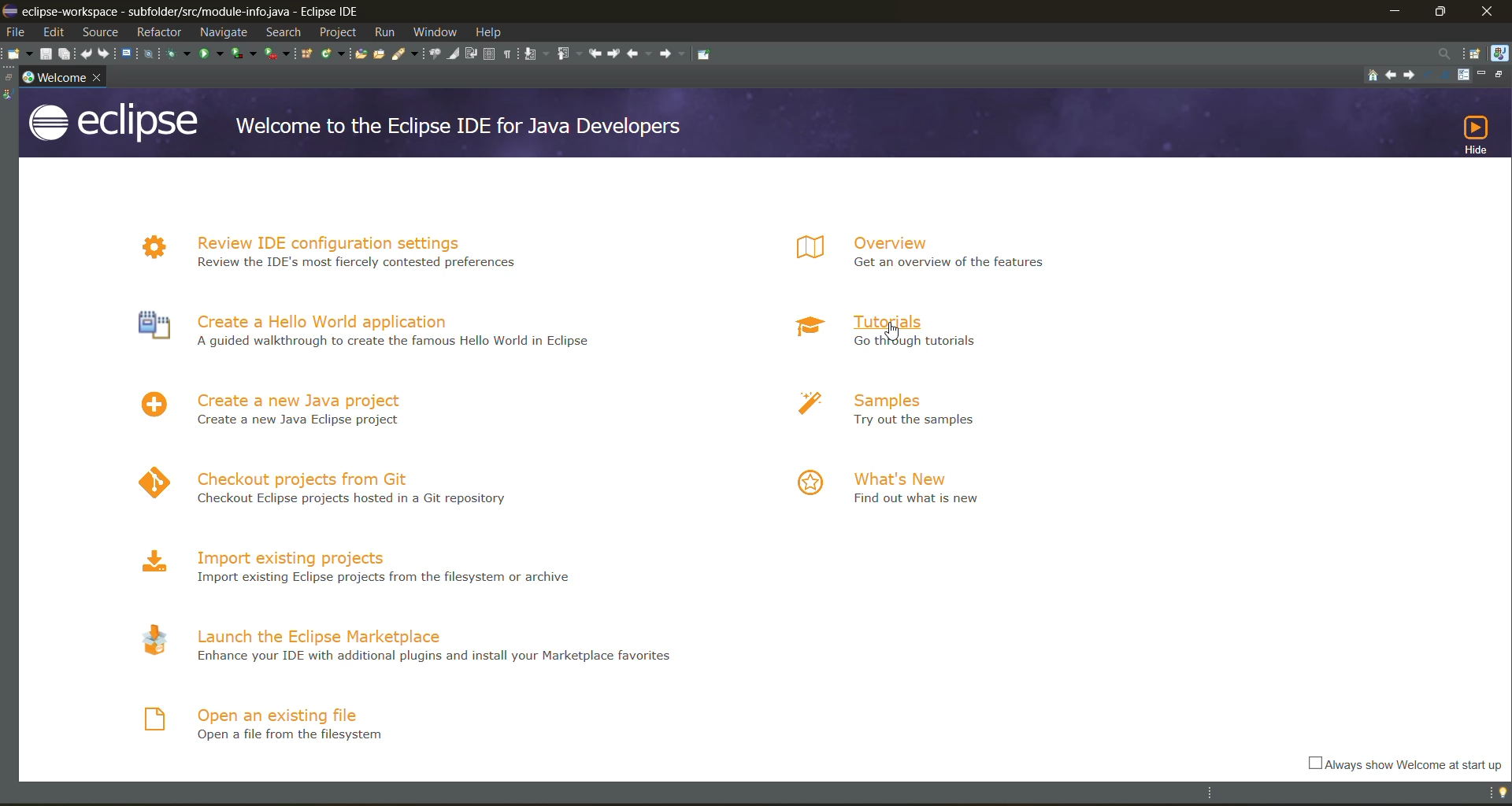 The width and height of the screenshot is (1512, 806). I want to click on welcome line, so click(459, 125).